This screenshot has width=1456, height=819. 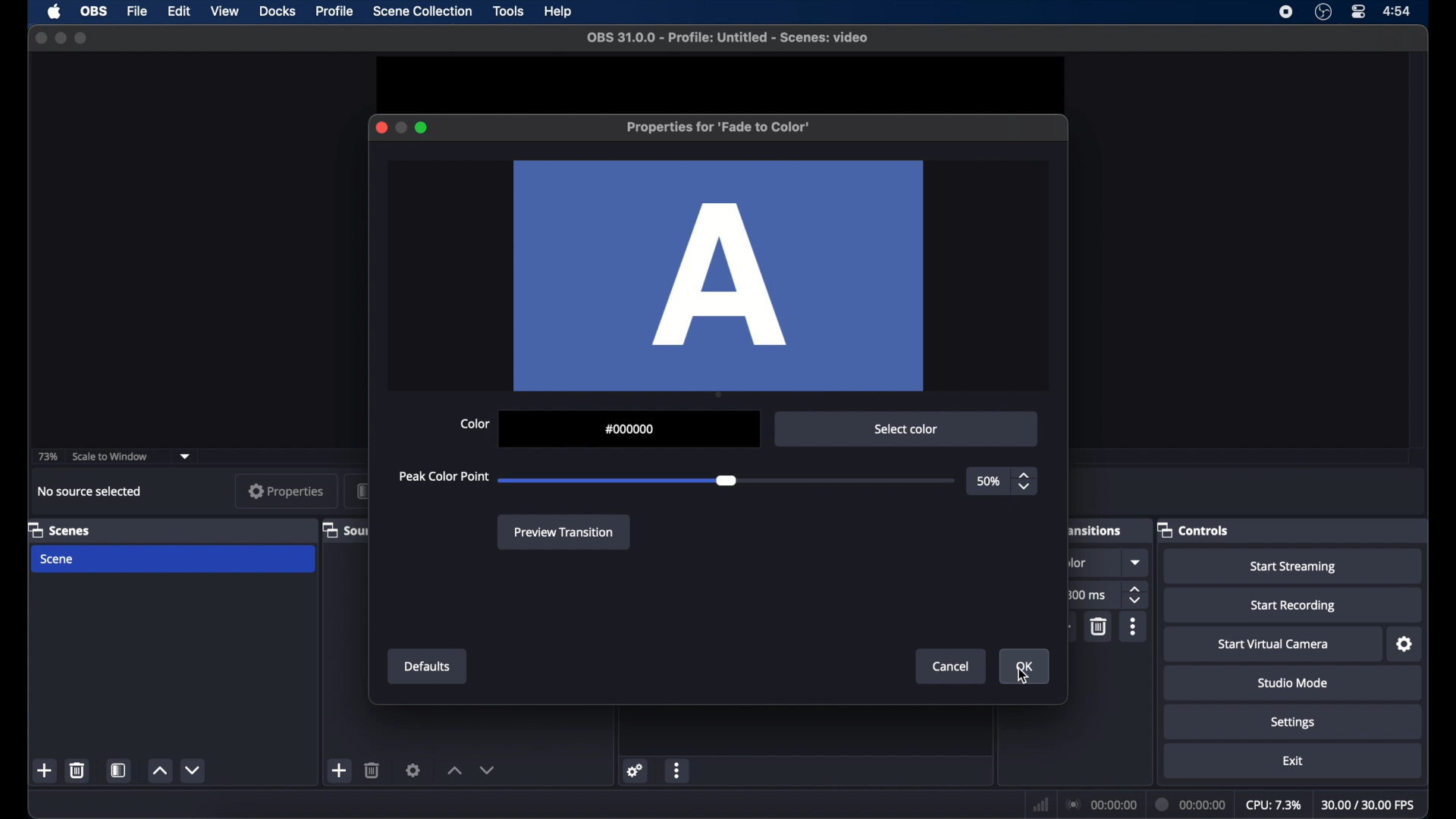 I want to click on A, so click(x=720, y=276).